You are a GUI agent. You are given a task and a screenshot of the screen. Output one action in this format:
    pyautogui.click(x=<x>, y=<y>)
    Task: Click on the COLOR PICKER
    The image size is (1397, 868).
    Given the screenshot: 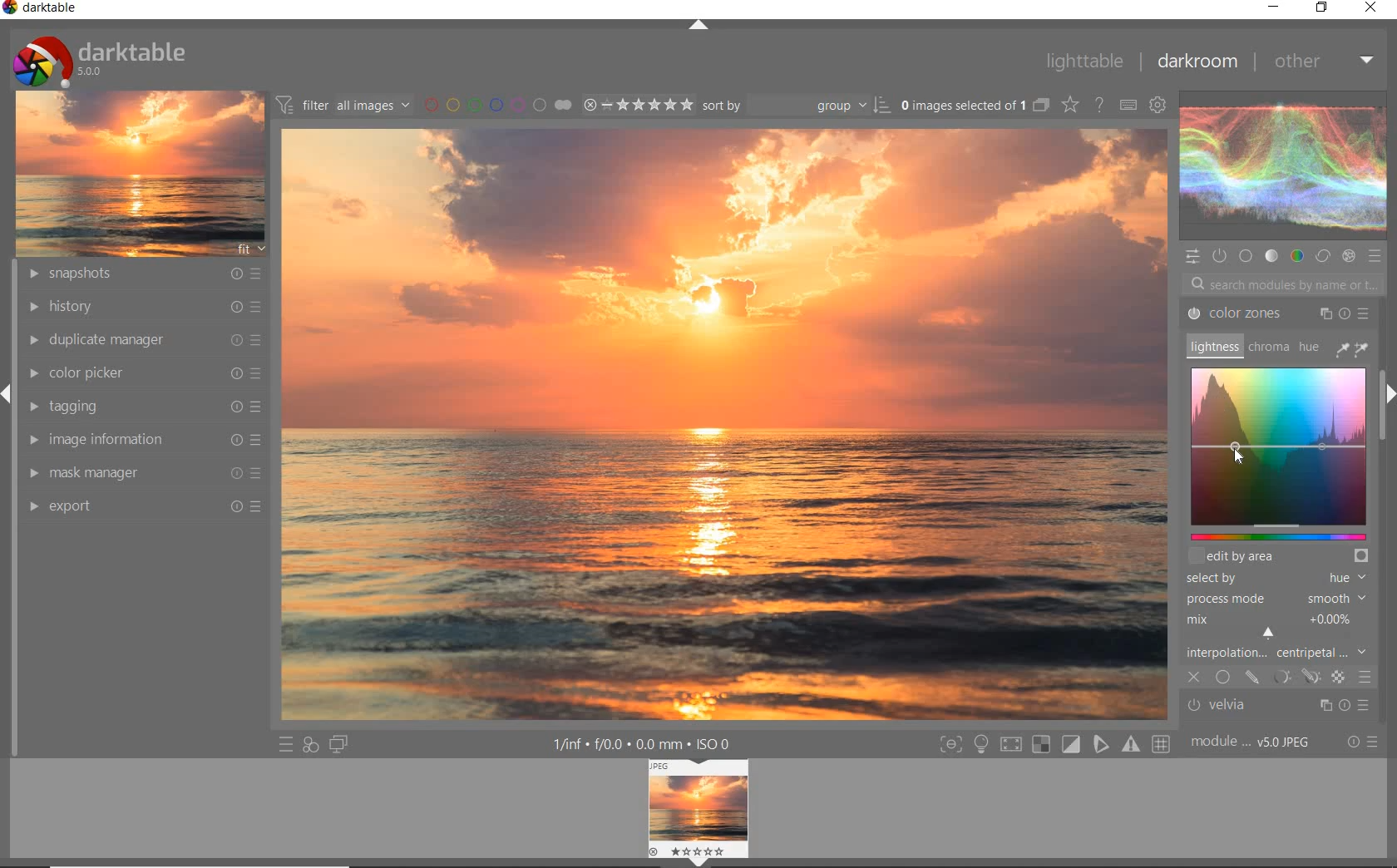 What is the action you would take?
    pyautogui.click(x=148, y=372)
    